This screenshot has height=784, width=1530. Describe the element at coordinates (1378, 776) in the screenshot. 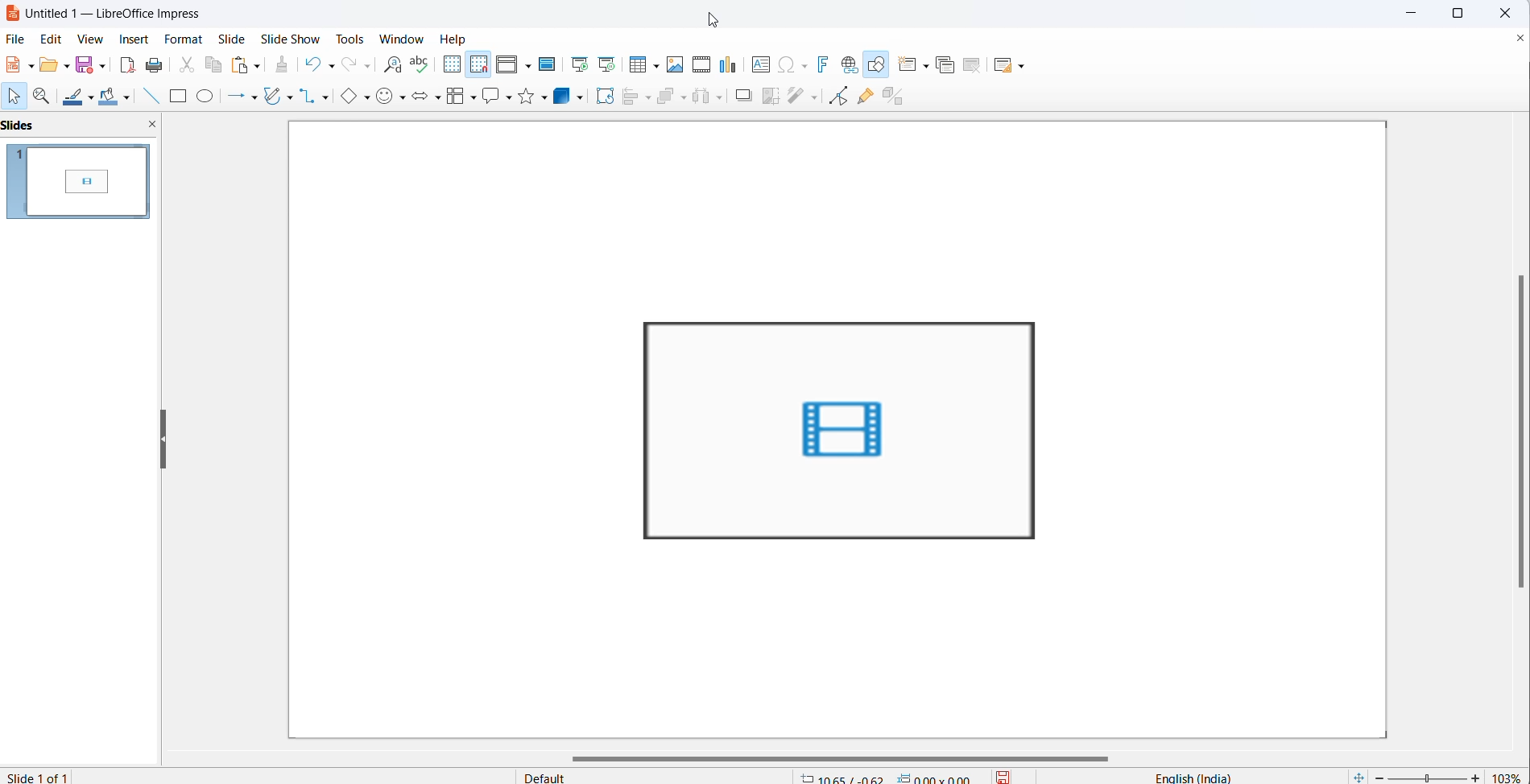

I see `decrease zoom` at that location.